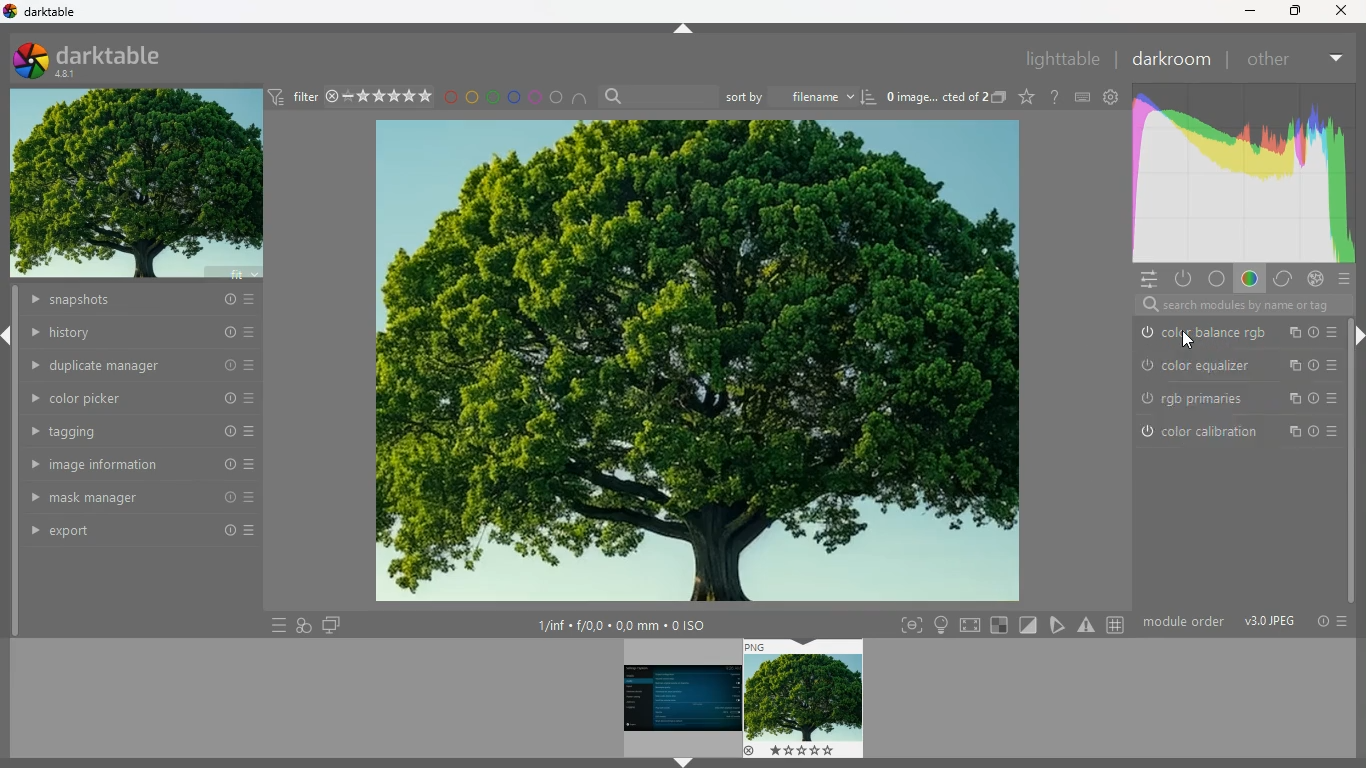 This screenshot has width=1366, height=768. What do you see at coordinates (137, 186) in the screenshot?
I see `image` at bounding box center [137, 186].